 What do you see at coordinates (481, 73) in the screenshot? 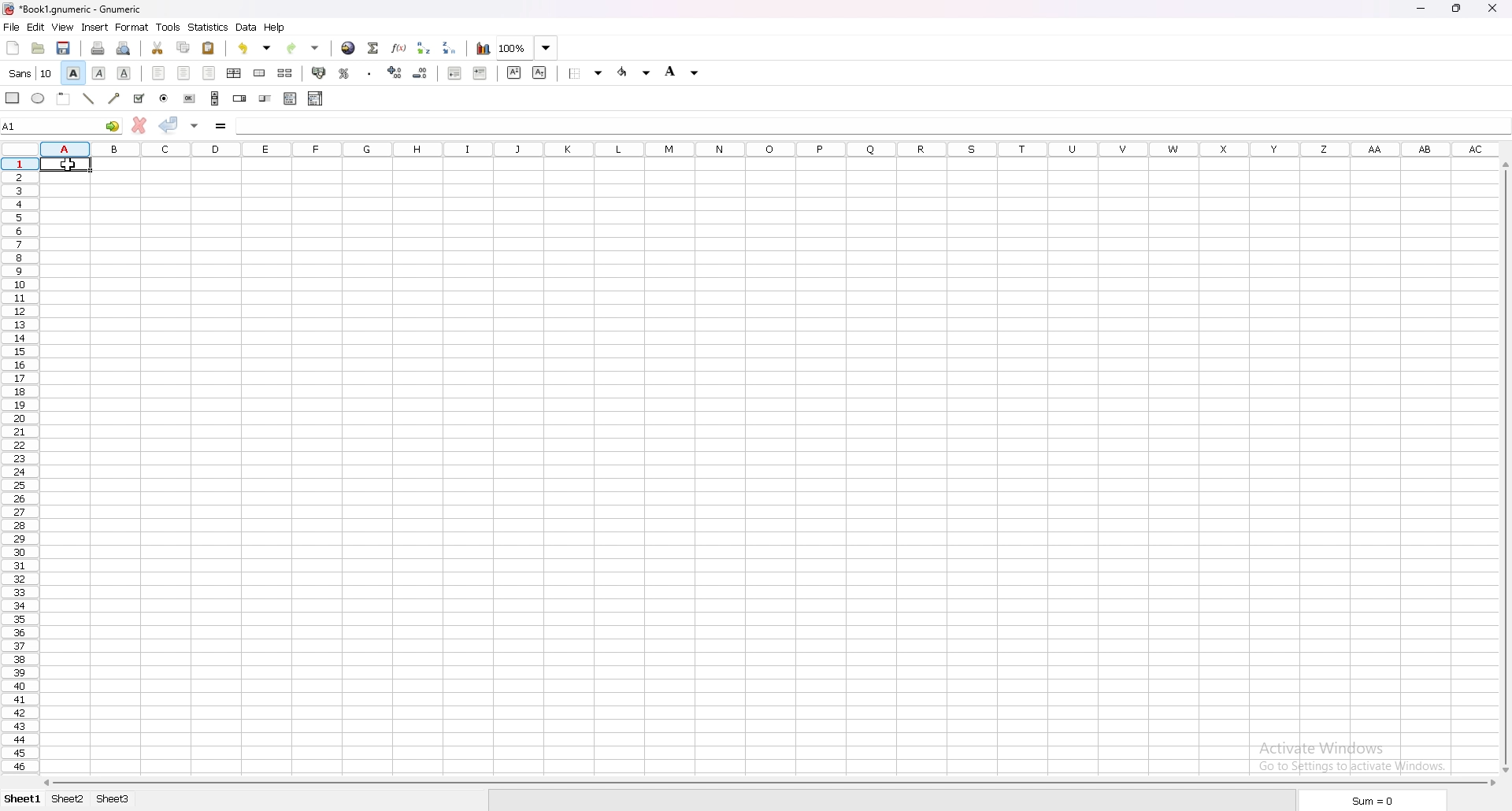
I see `increase indent` at bounding box center [481, 73].